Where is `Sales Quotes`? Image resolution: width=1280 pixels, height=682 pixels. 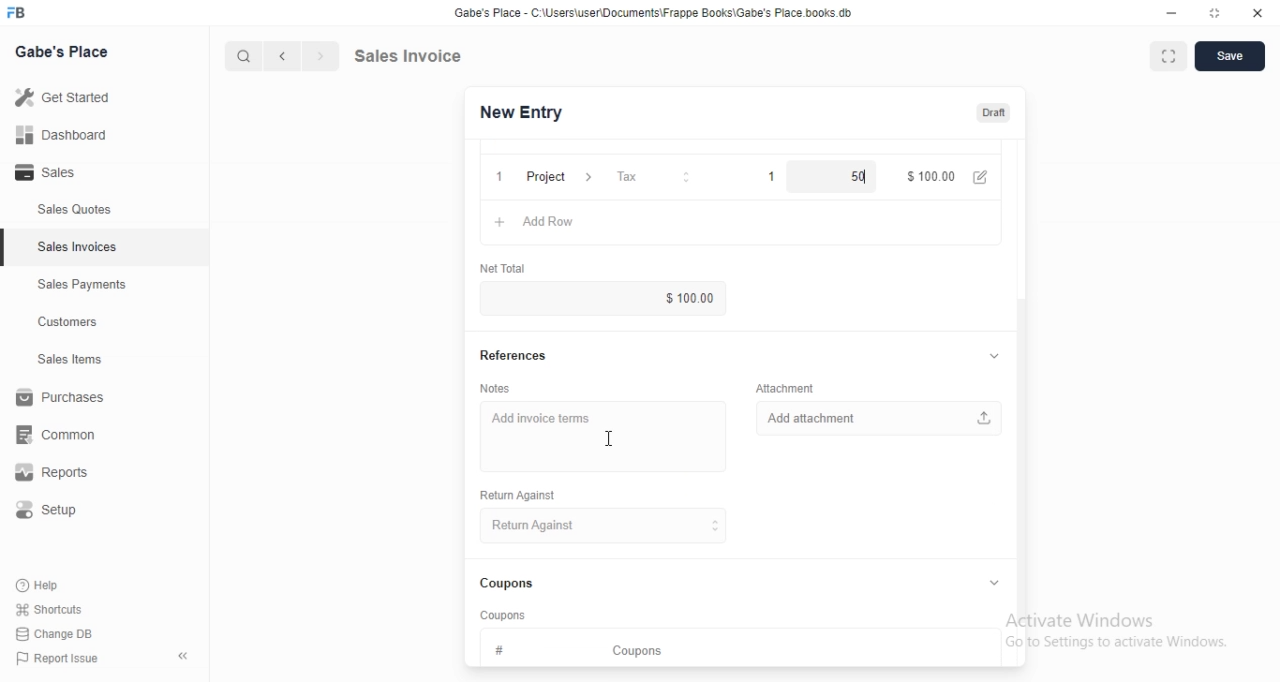 Sales Quotes is located at coordinates (64, 210).